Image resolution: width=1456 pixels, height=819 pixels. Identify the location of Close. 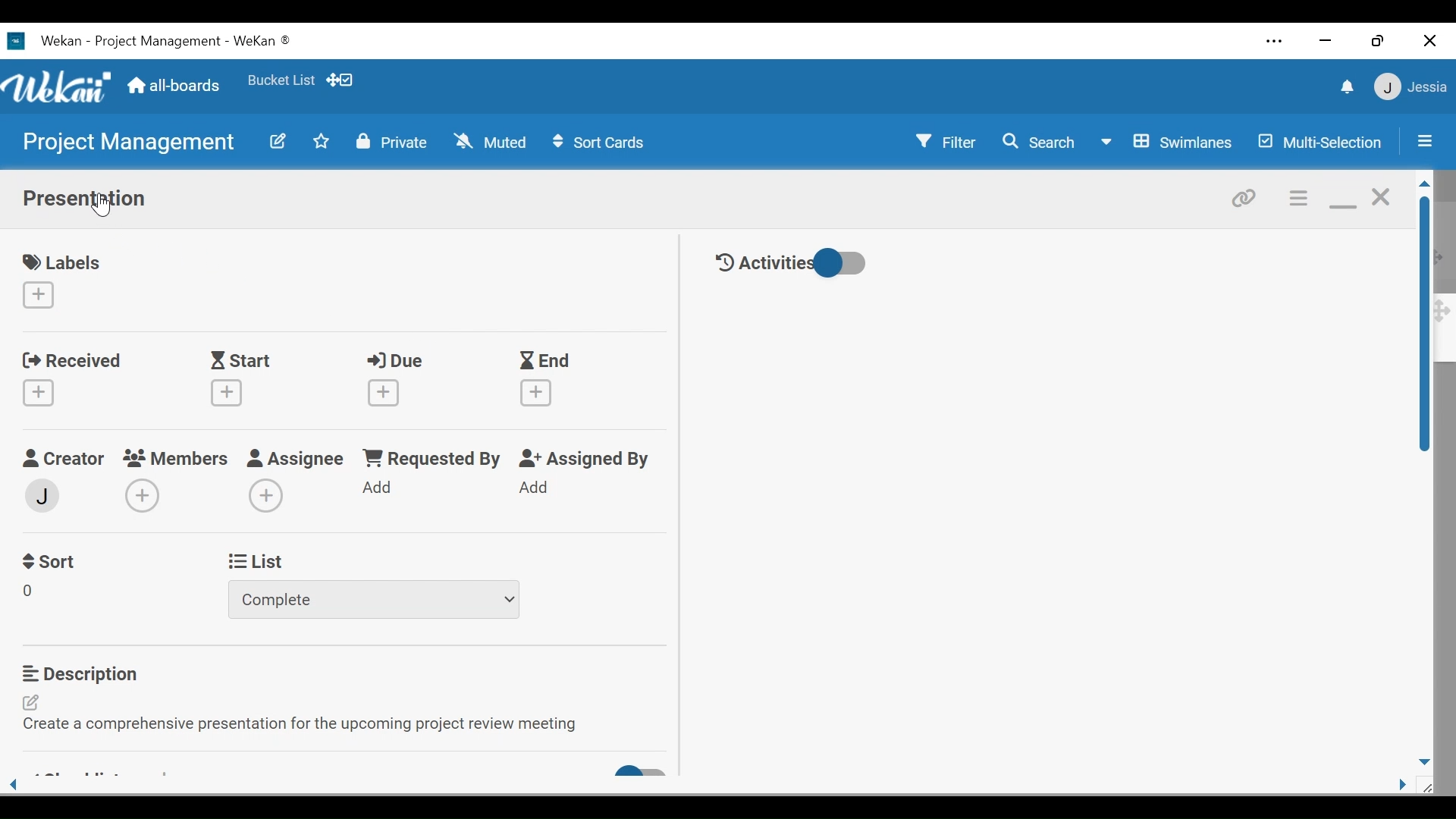
(1381, 196).